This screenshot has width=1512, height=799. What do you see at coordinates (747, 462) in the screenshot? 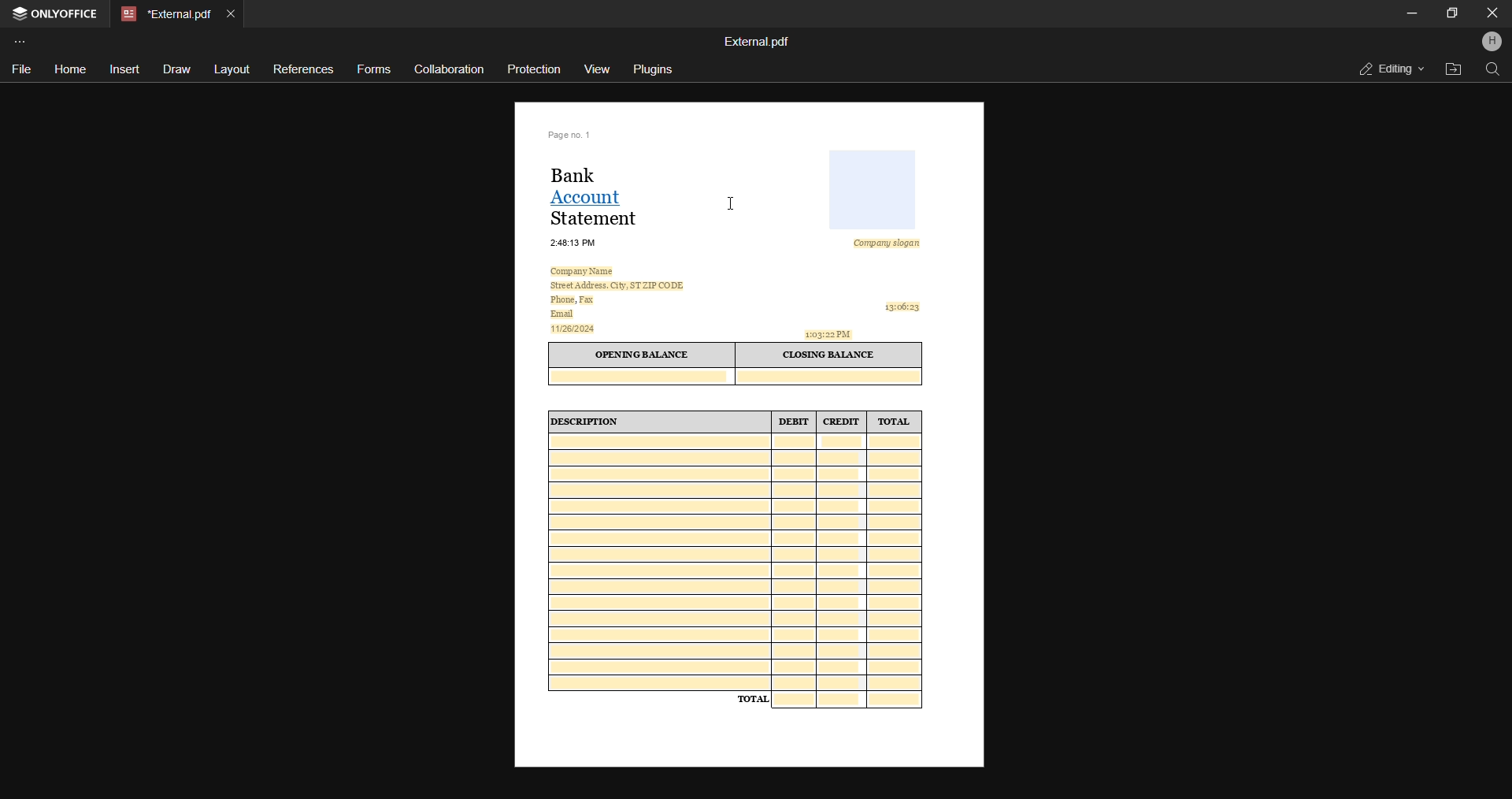
I see `This is a 30 day eviction notice informing tenants that they must either pay overdue rent, correct a lease violation, or vacate the premises due to illegal activity. Failure to comply will result in legal actions.` at bounding box center [747, 462].